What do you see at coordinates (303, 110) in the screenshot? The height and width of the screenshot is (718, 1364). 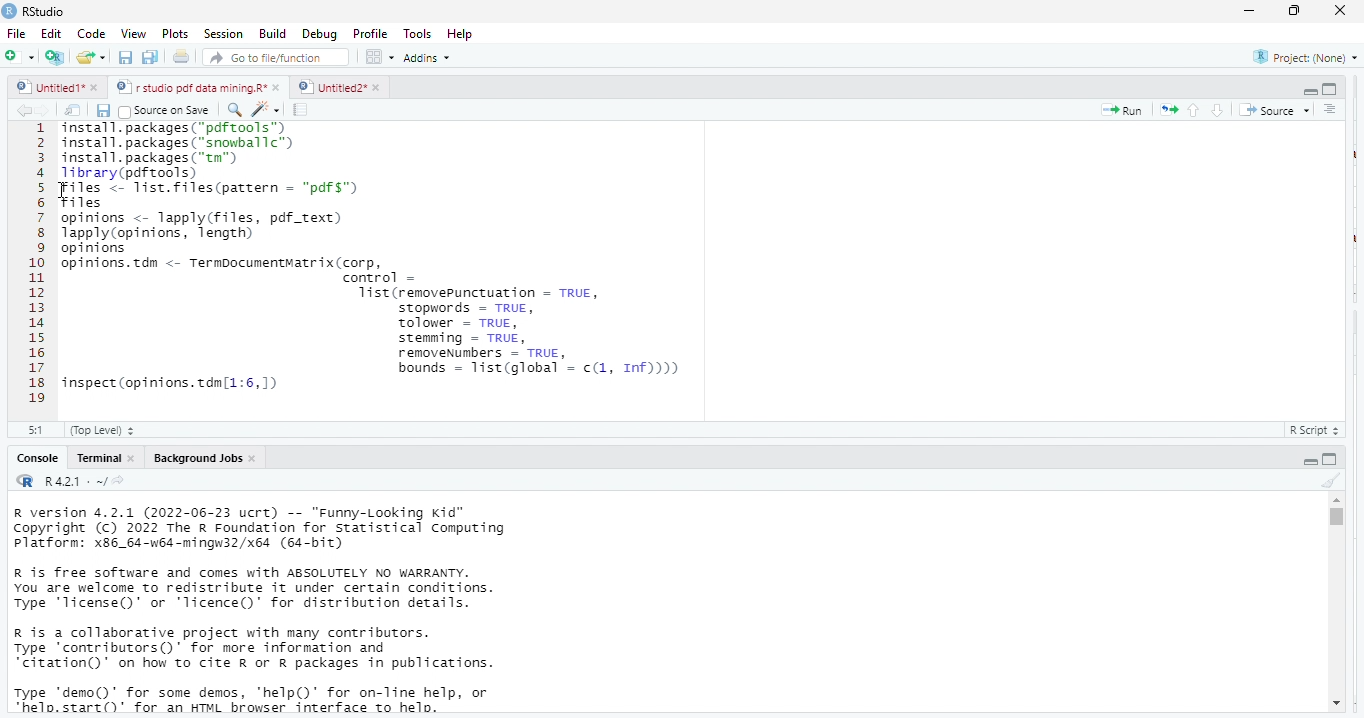 I see `compile report` at bounding box center [303, 110].